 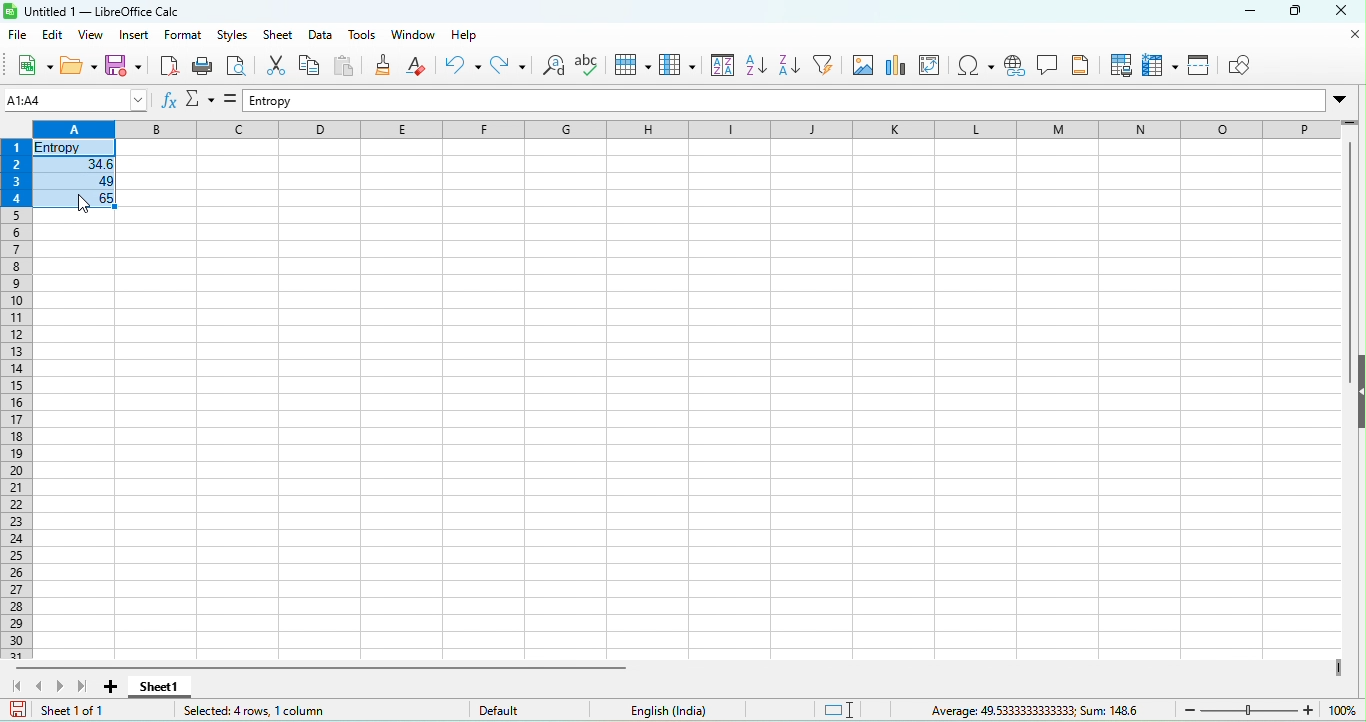 I want to click on zoom slider, so click(x=1251, y=709).